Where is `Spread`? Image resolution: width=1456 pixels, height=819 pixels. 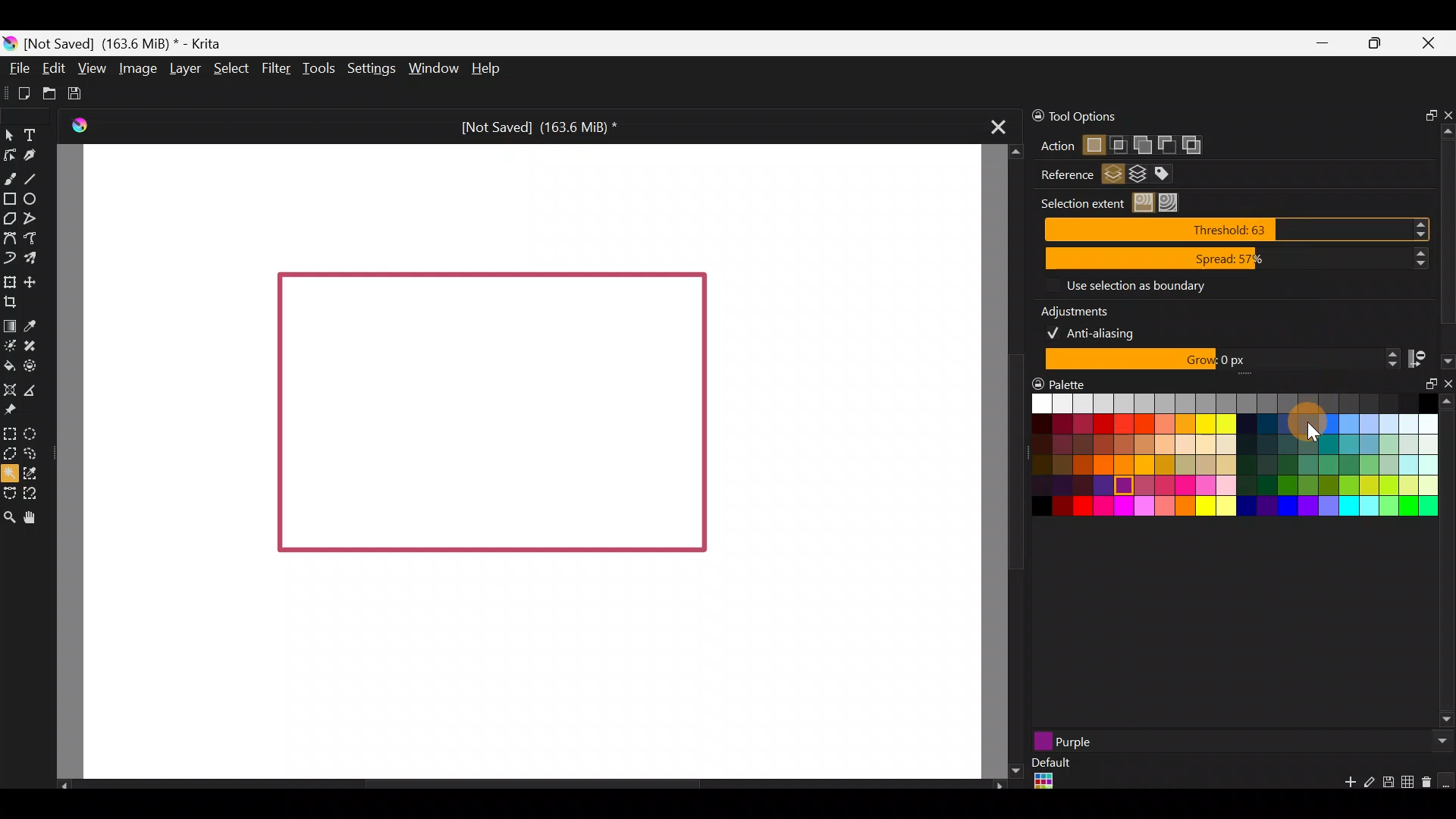 Spread is located at coordinates (1237, 259).